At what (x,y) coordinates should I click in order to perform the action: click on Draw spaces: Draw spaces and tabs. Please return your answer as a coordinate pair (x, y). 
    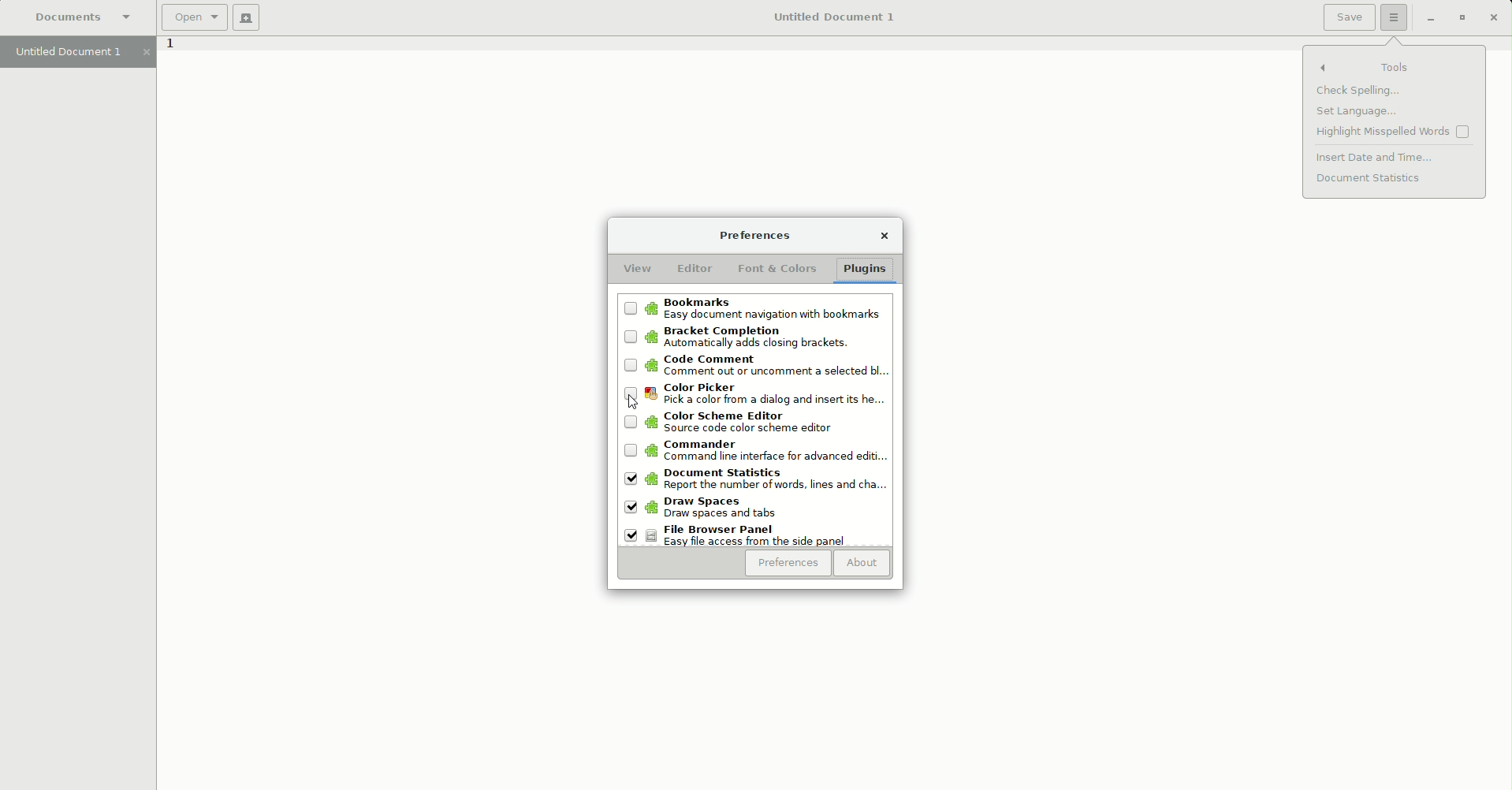
    Looking at the image, I should click on (717, 509).